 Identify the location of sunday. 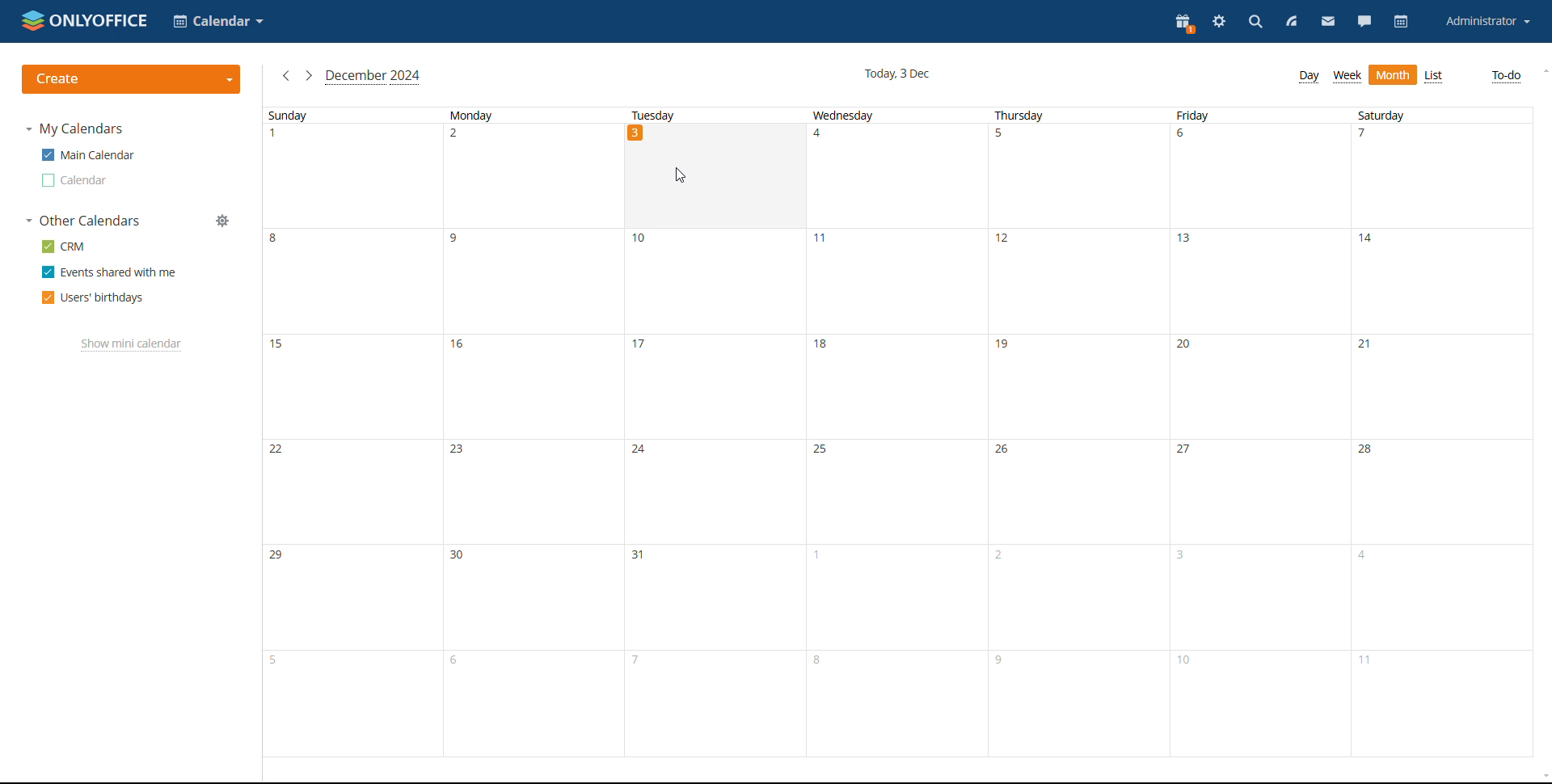
(349, 432).